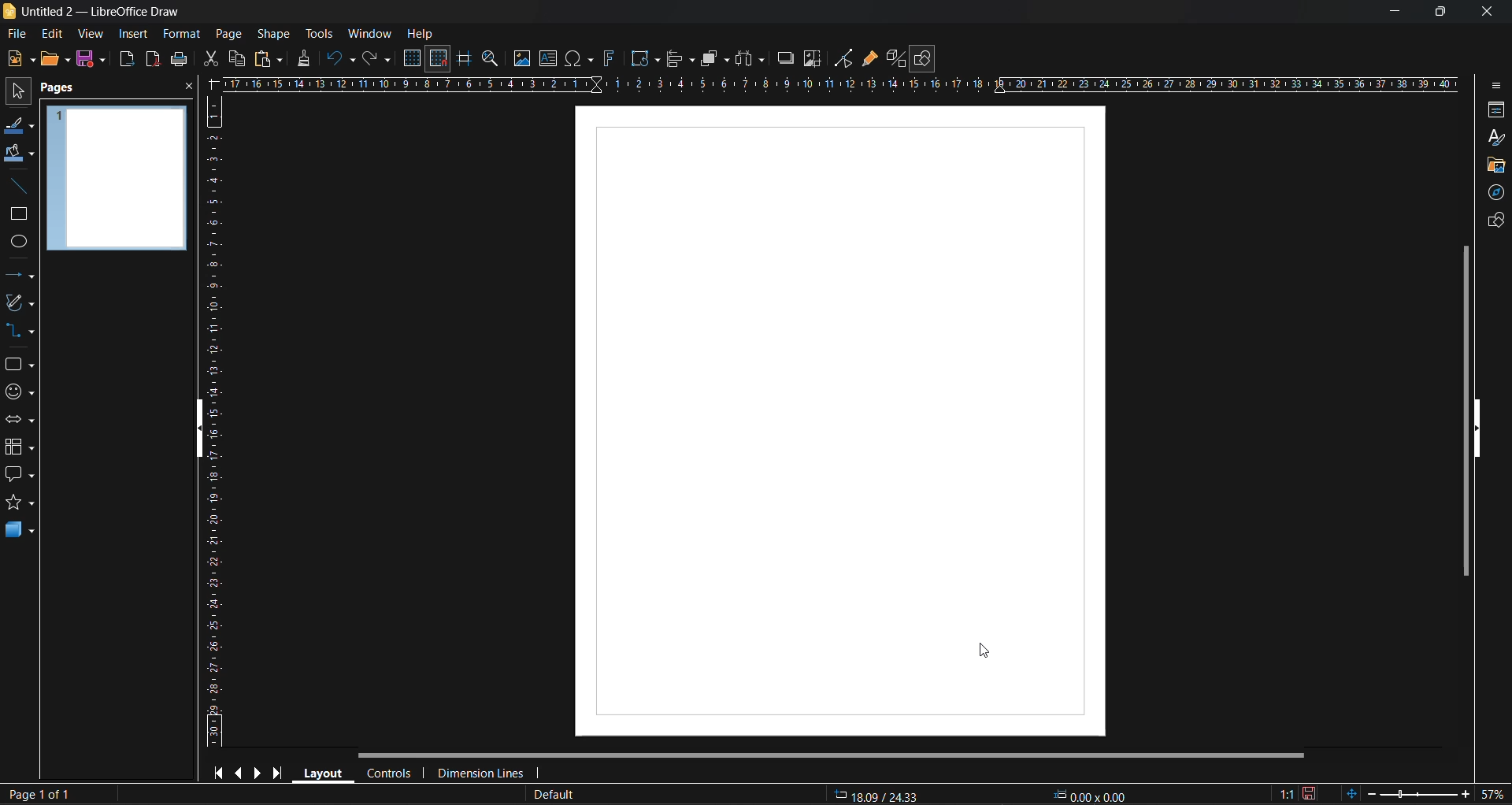  Describe the element at coordinates (983, 796) in the screenshot. I see `co ordinates` at that location.